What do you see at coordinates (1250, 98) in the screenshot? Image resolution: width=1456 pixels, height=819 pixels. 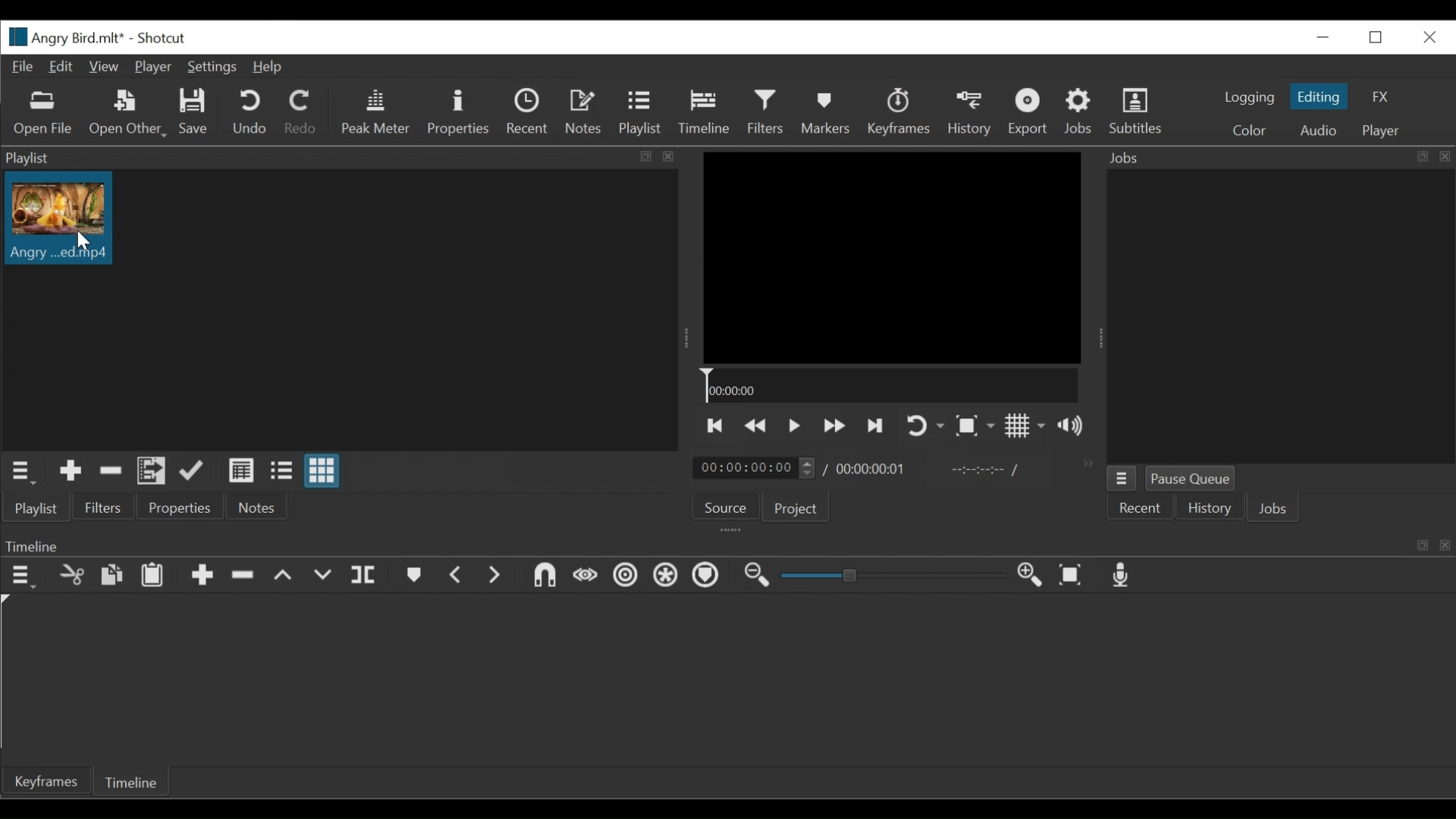 I see `logging` at bounding box center [1250, 98].